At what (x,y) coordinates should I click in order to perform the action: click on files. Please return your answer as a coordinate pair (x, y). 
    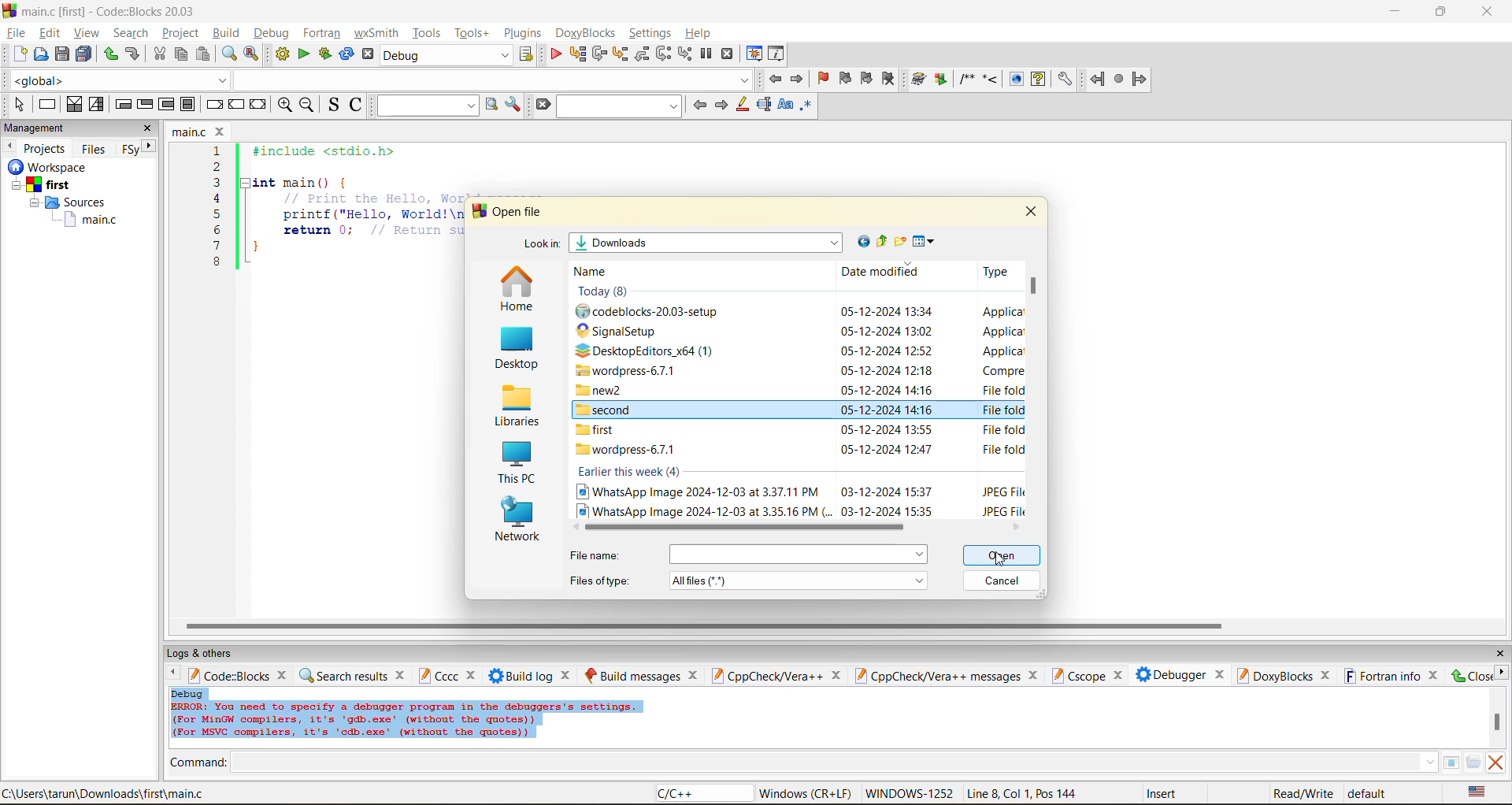
    Looking at the image, I should click on (94, 148).